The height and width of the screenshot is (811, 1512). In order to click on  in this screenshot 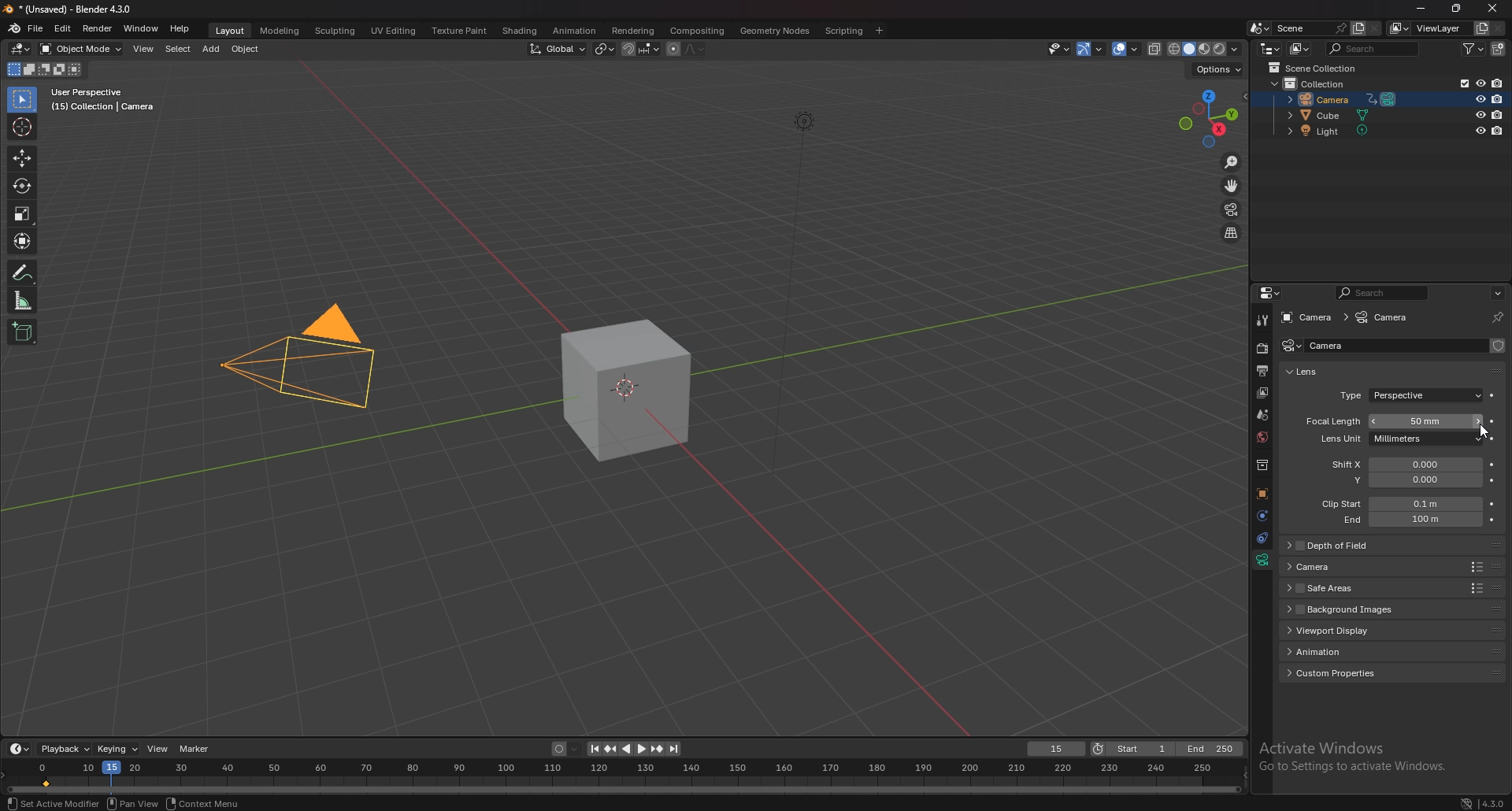, I will do `click(1477, 588)`.